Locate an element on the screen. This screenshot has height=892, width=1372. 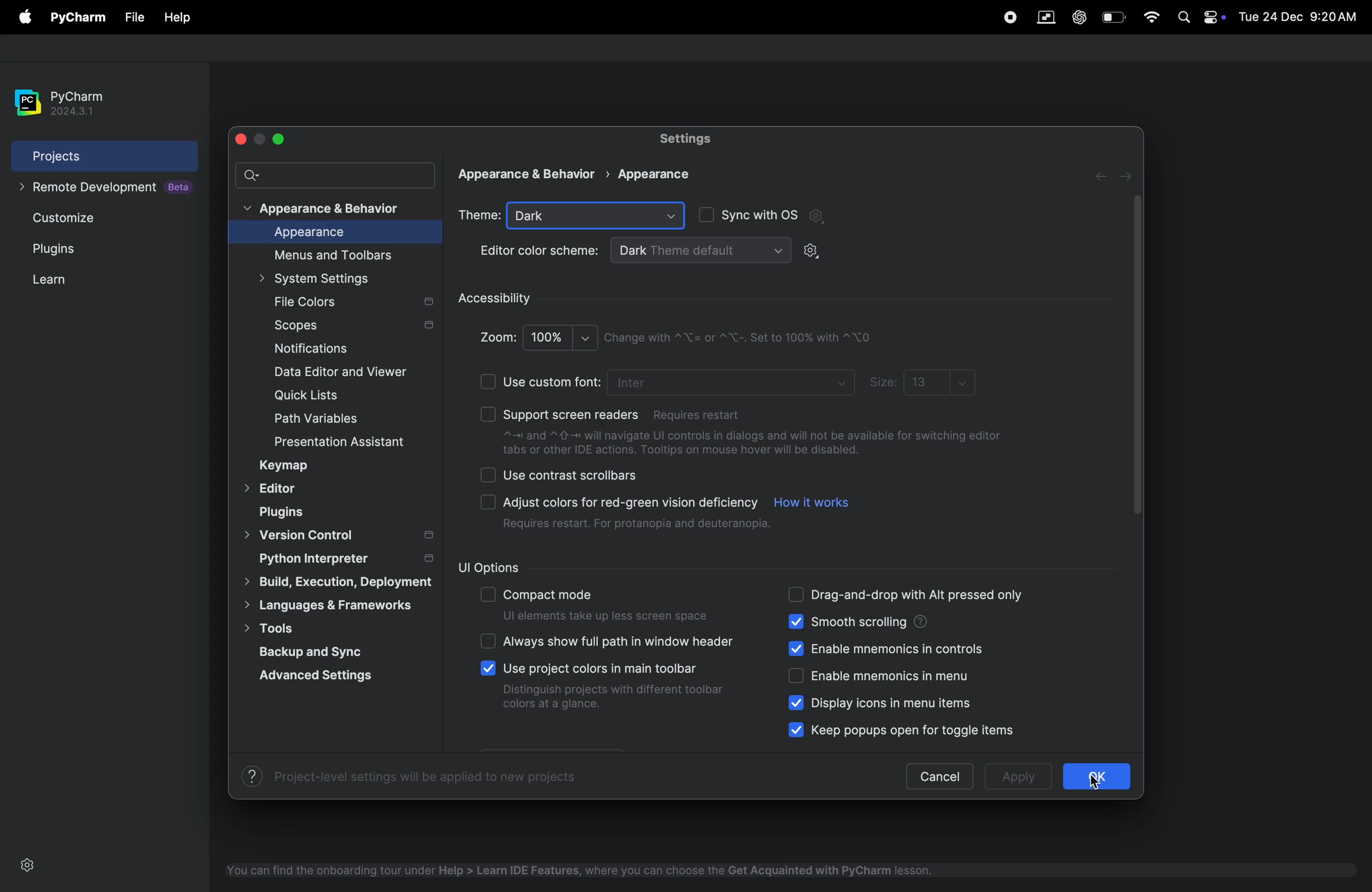
date and time is located at coordinates (1301, 16).